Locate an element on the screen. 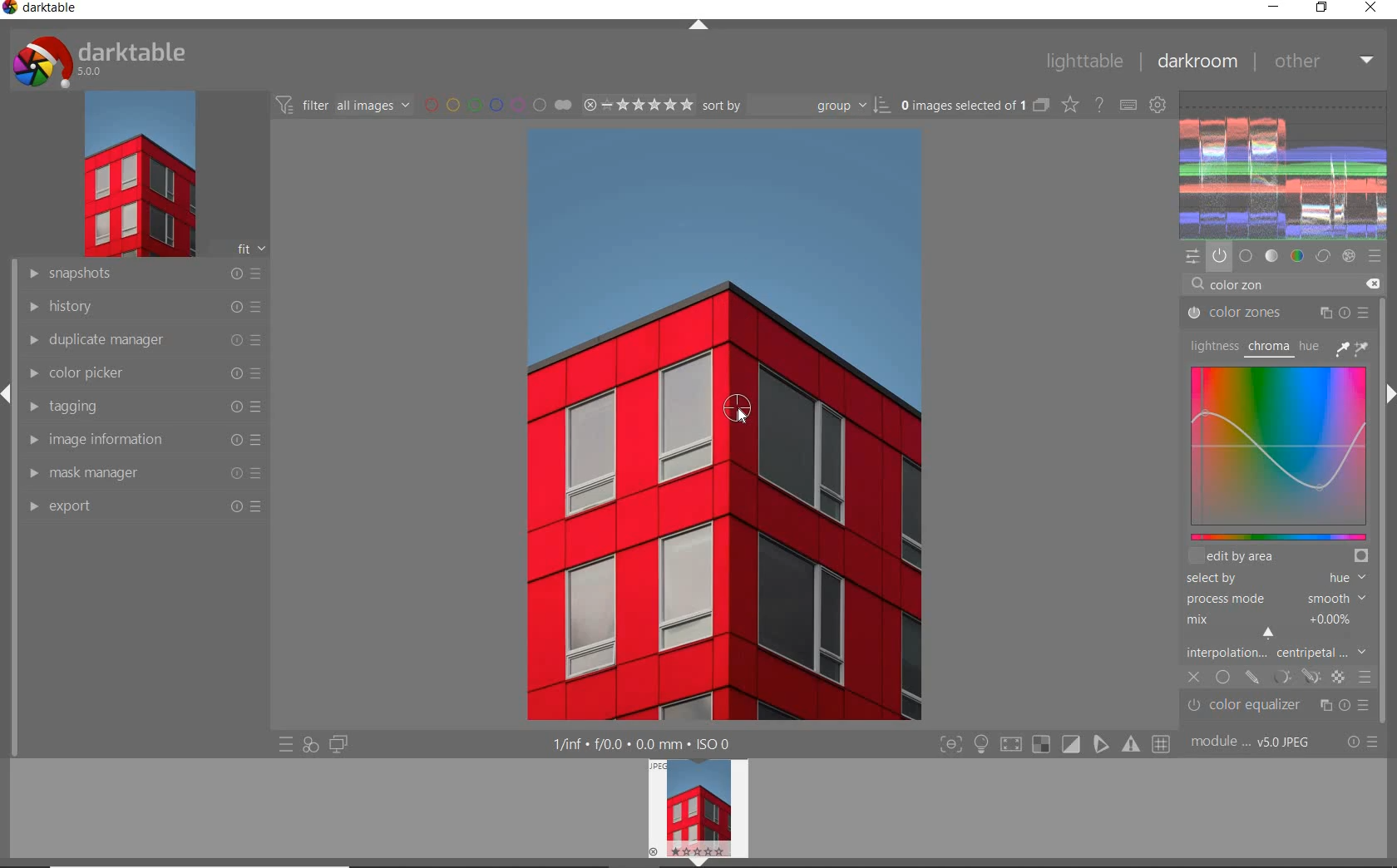 The image size is (1397, 868). BLENDING OPTIONS is located at coordinates (1365, 676).